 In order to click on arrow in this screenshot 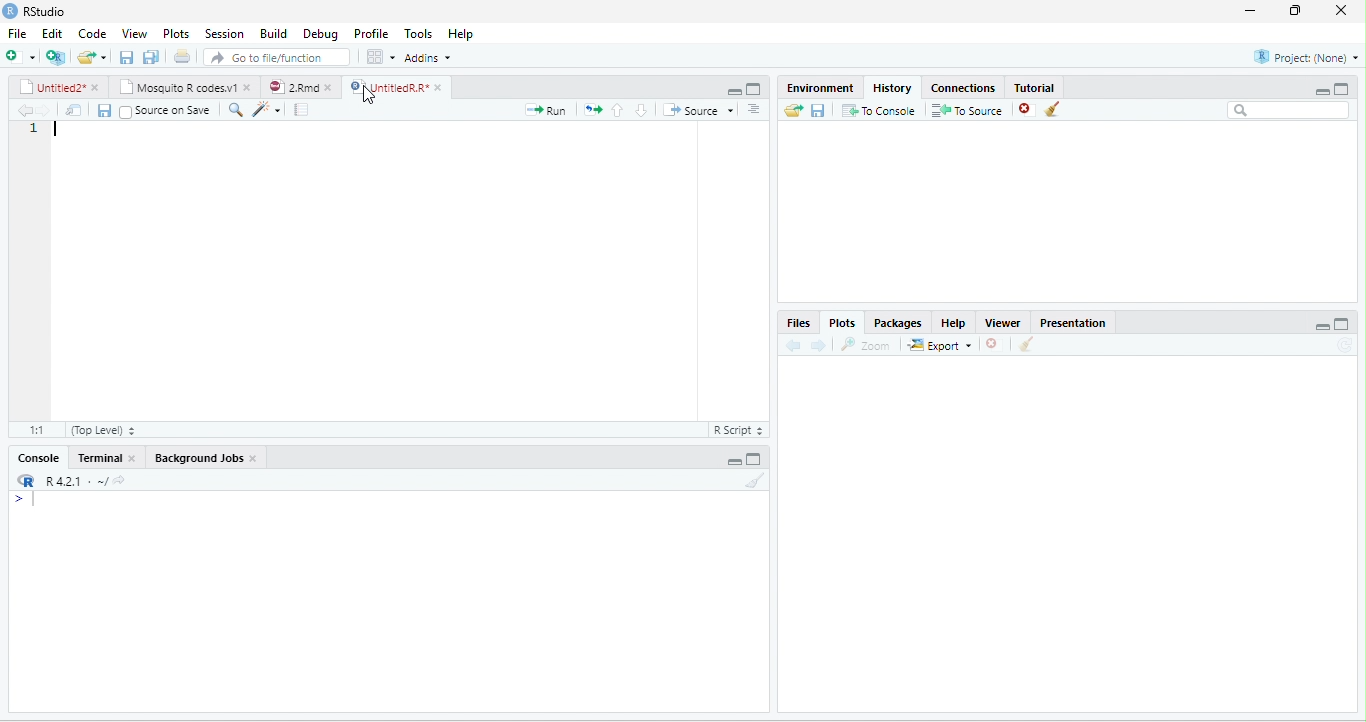, I will do `click(22, 111)`.